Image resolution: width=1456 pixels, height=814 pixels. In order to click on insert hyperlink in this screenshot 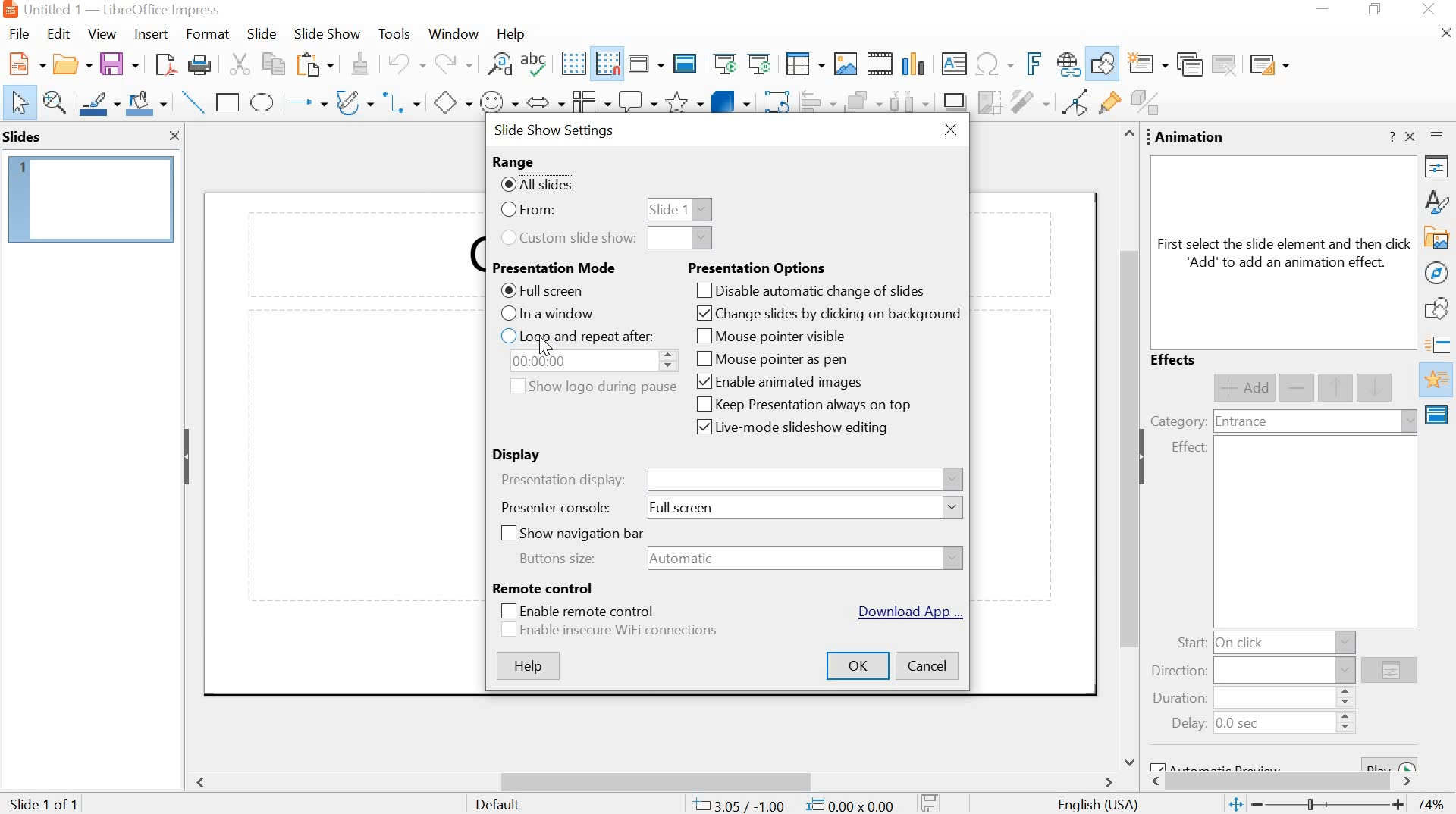, I will do `click(1067, 65)`.